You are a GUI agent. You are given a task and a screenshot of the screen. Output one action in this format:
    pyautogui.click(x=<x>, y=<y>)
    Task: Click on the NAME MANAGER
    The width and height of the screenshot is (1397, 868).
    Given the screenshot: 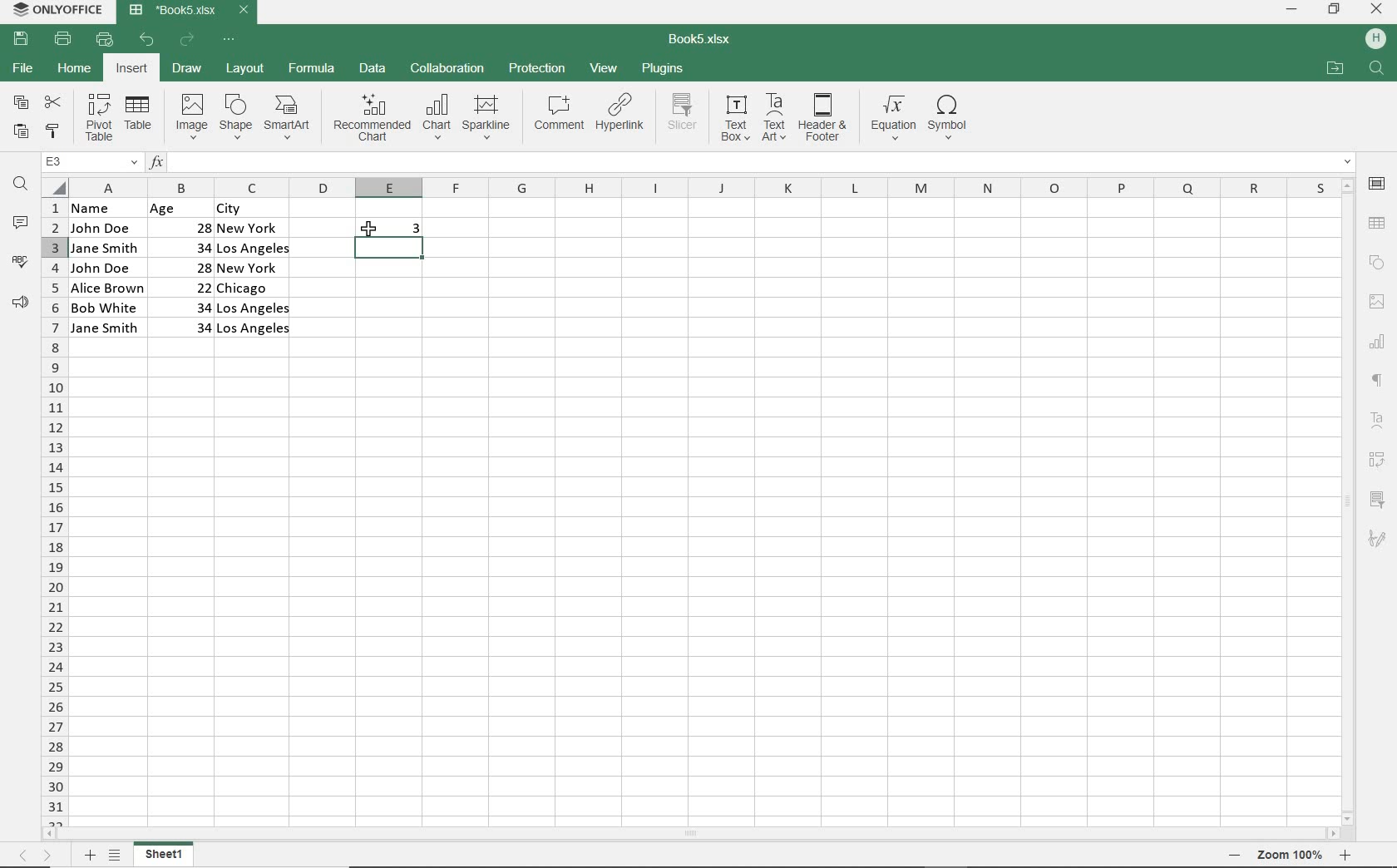 What is the action you would take?
    pyautogui.click(x=89, y=162)
    